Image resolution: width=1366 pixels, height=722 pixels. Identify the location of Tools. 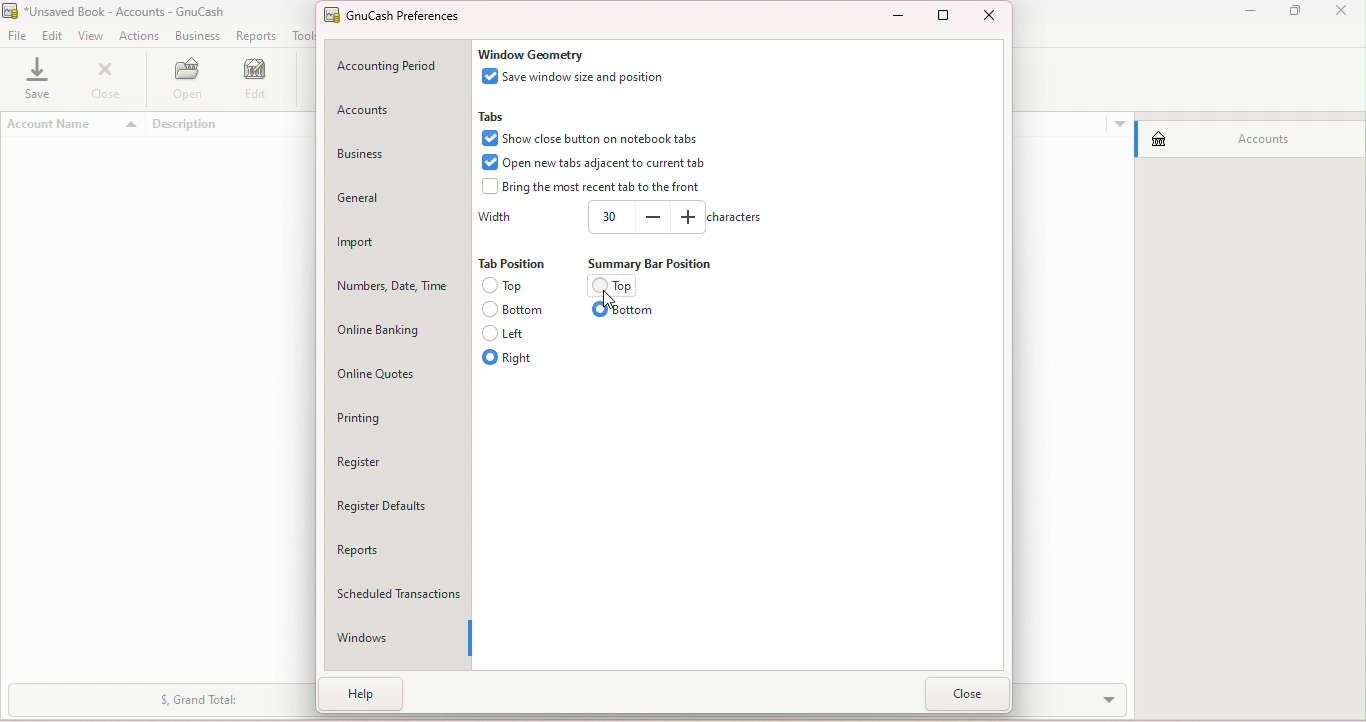
(306, 35).